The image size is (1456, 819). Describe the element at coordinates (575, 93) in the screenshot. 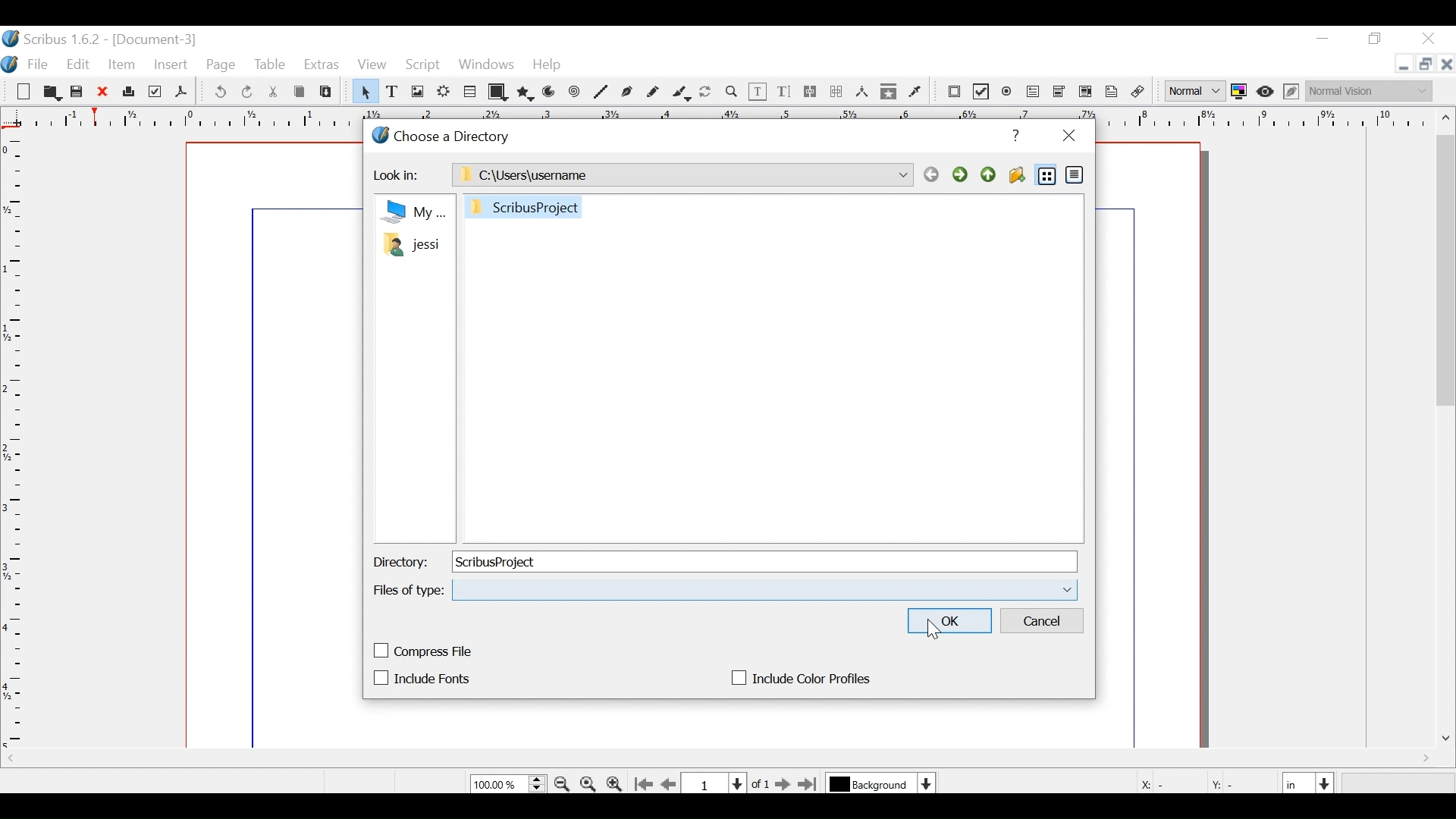

I see `Spiral` at that location.